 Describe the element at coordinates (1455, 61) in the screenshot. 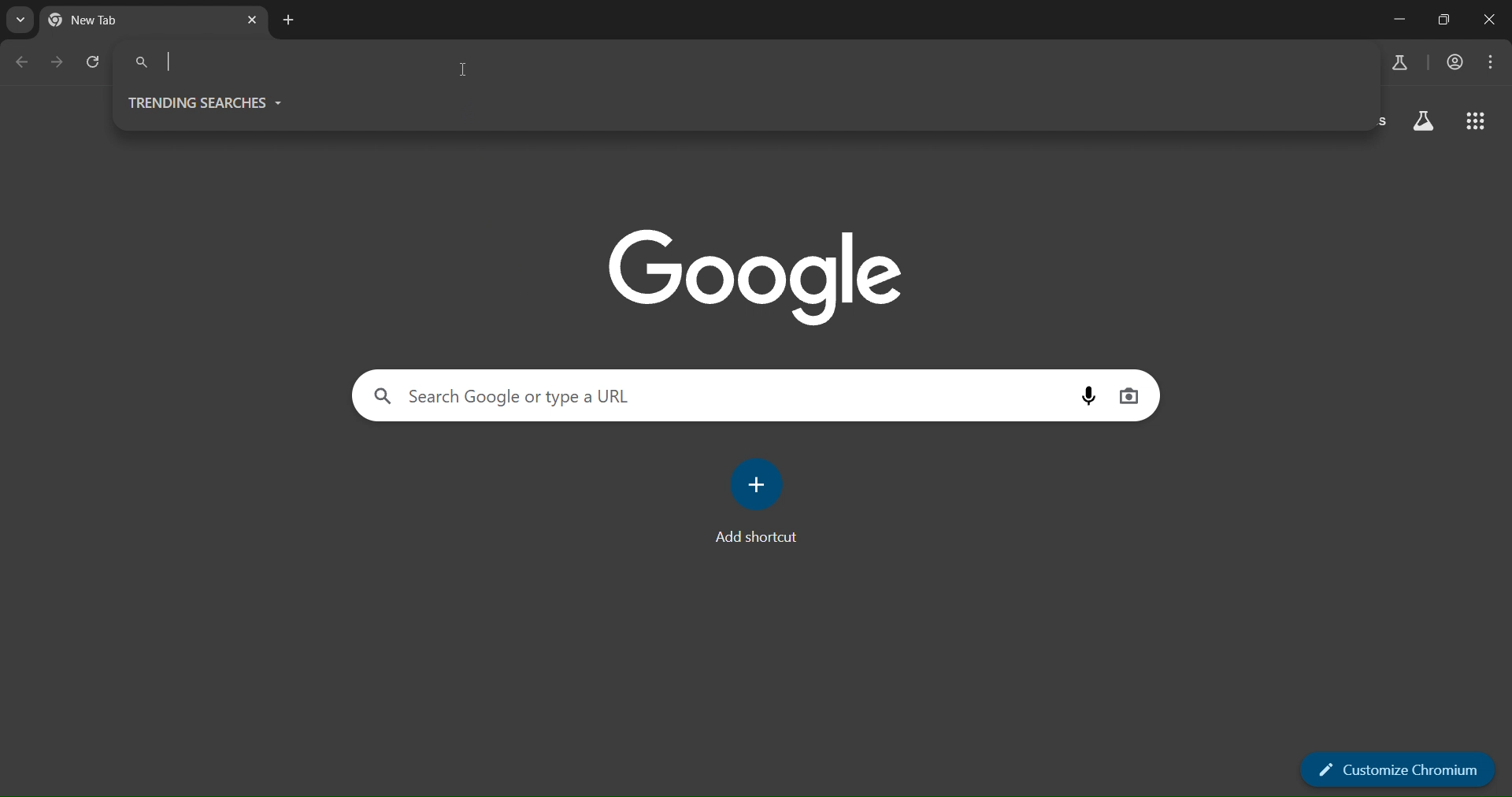

I see `account` at that location.